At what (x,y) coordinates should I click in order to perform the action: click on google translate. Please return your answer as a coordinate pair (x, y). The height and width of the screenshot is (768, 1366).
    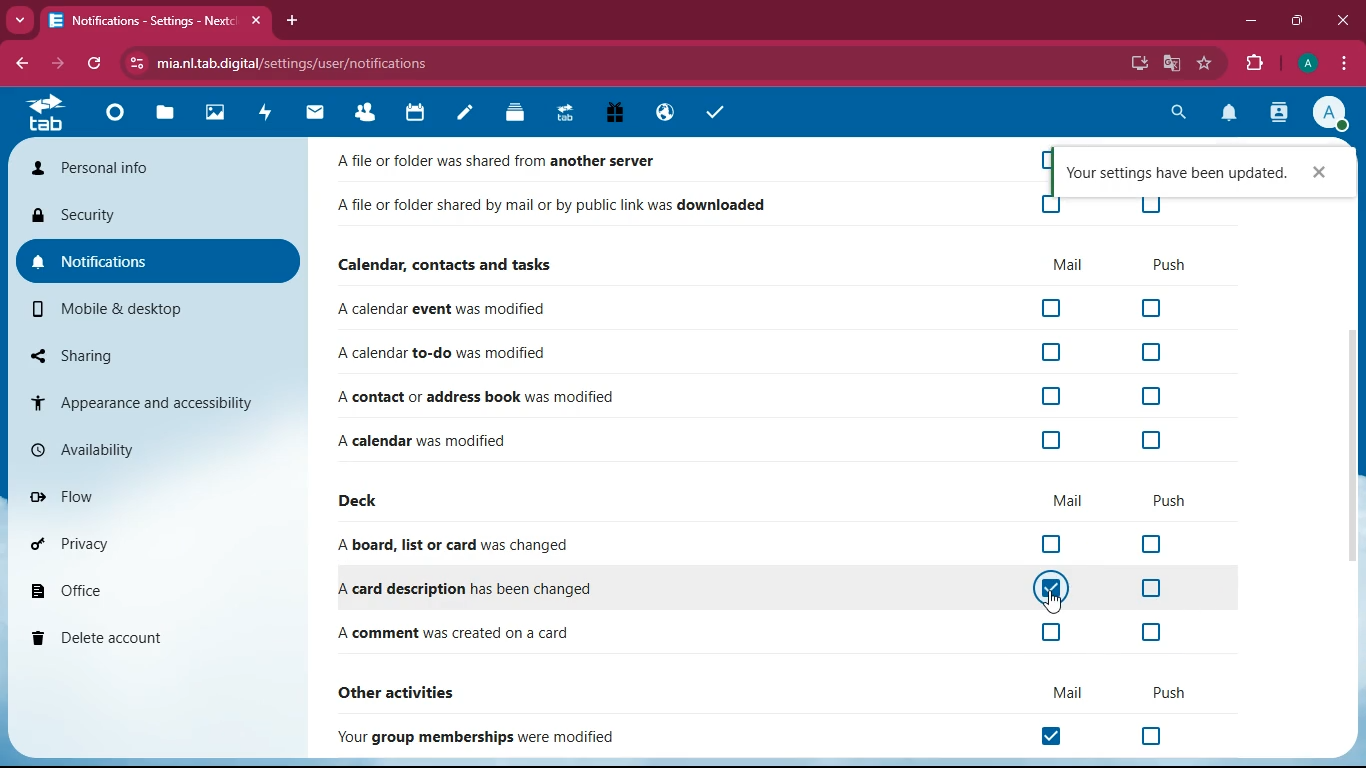
    Looking at the image, I should click on (1172, 63).